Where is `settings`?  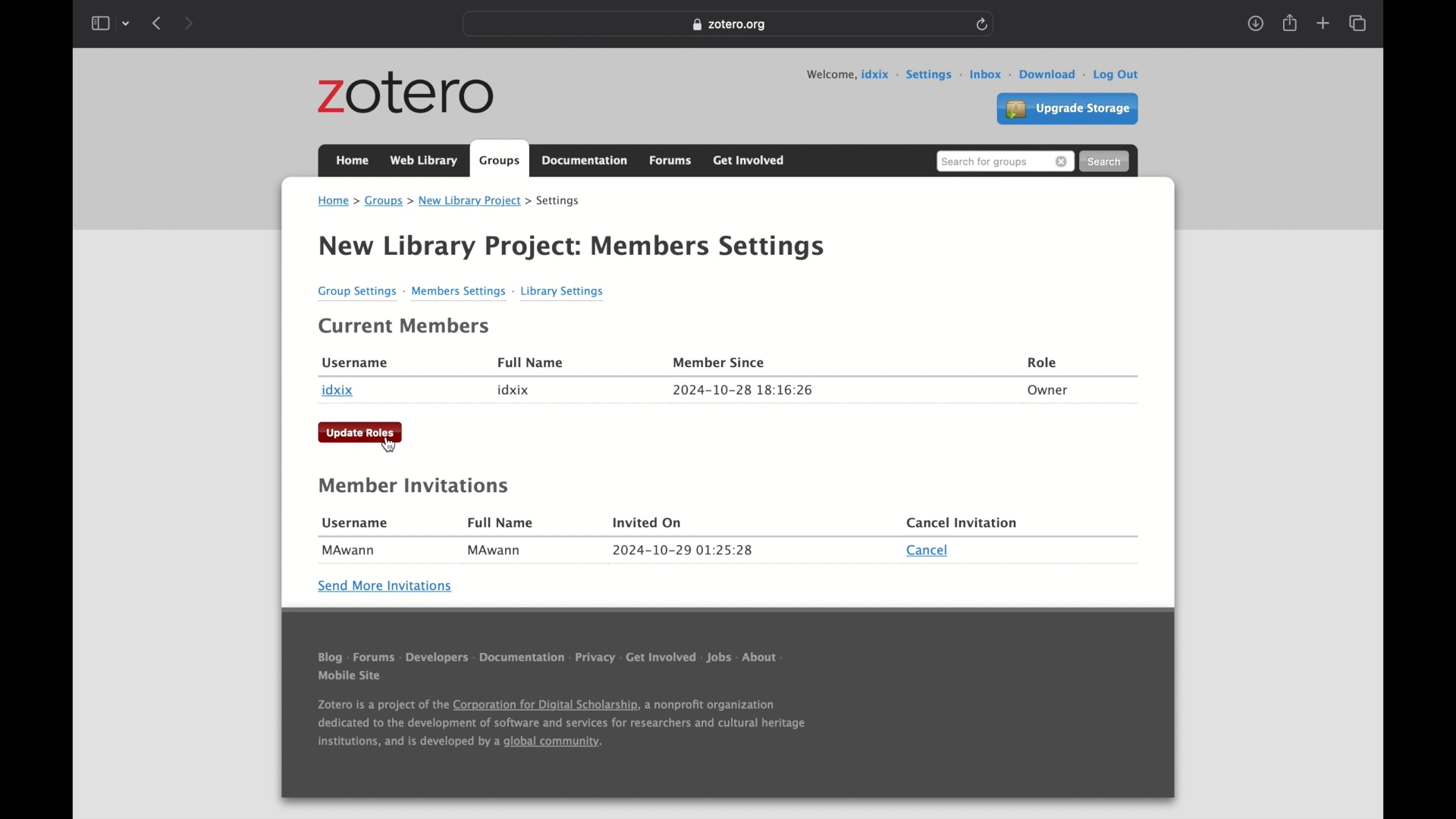
settings is located at coordinates (934, 74).